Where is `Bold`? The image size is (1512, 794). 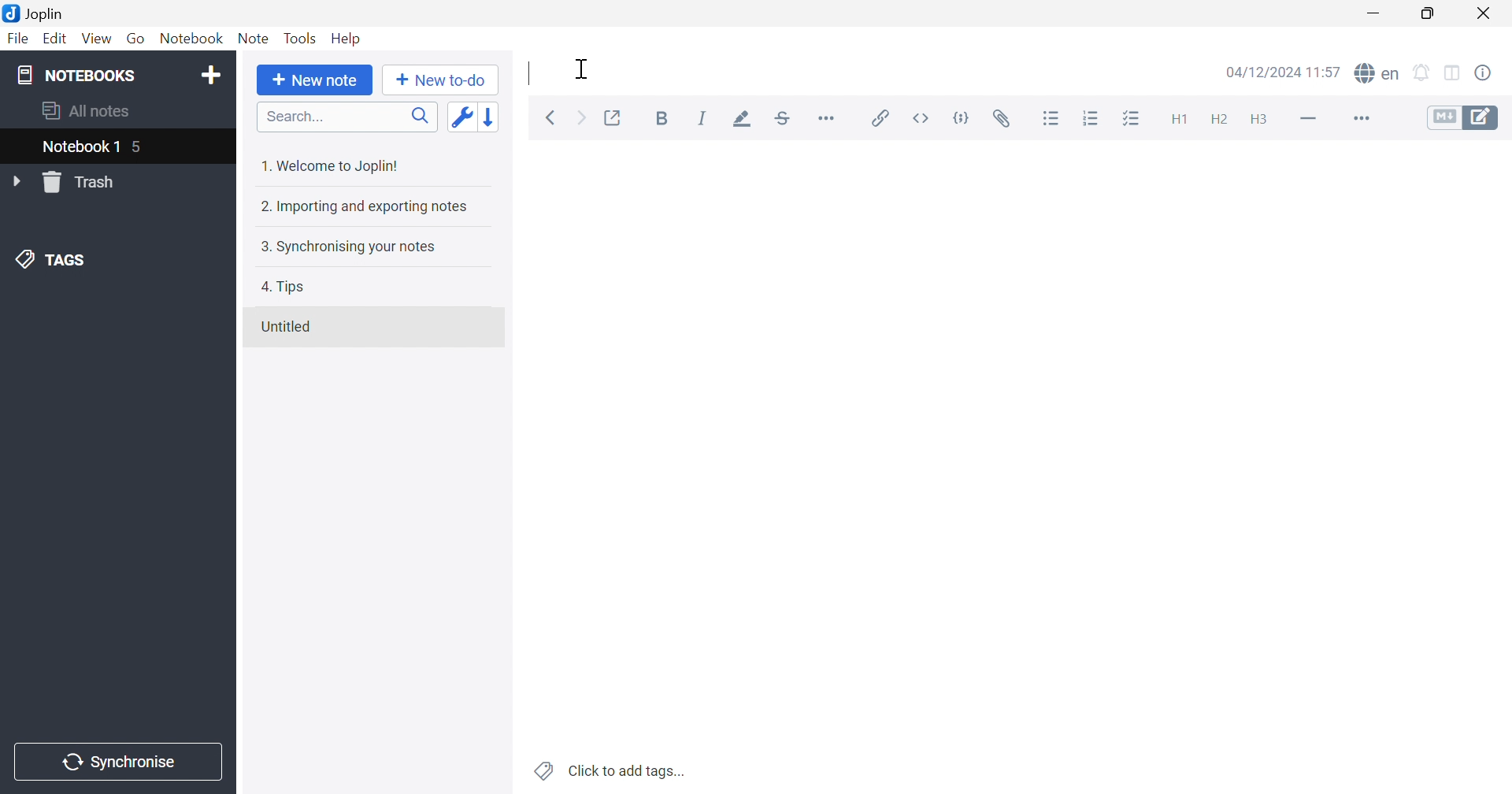 Bold is located at coordinates (662, 118).